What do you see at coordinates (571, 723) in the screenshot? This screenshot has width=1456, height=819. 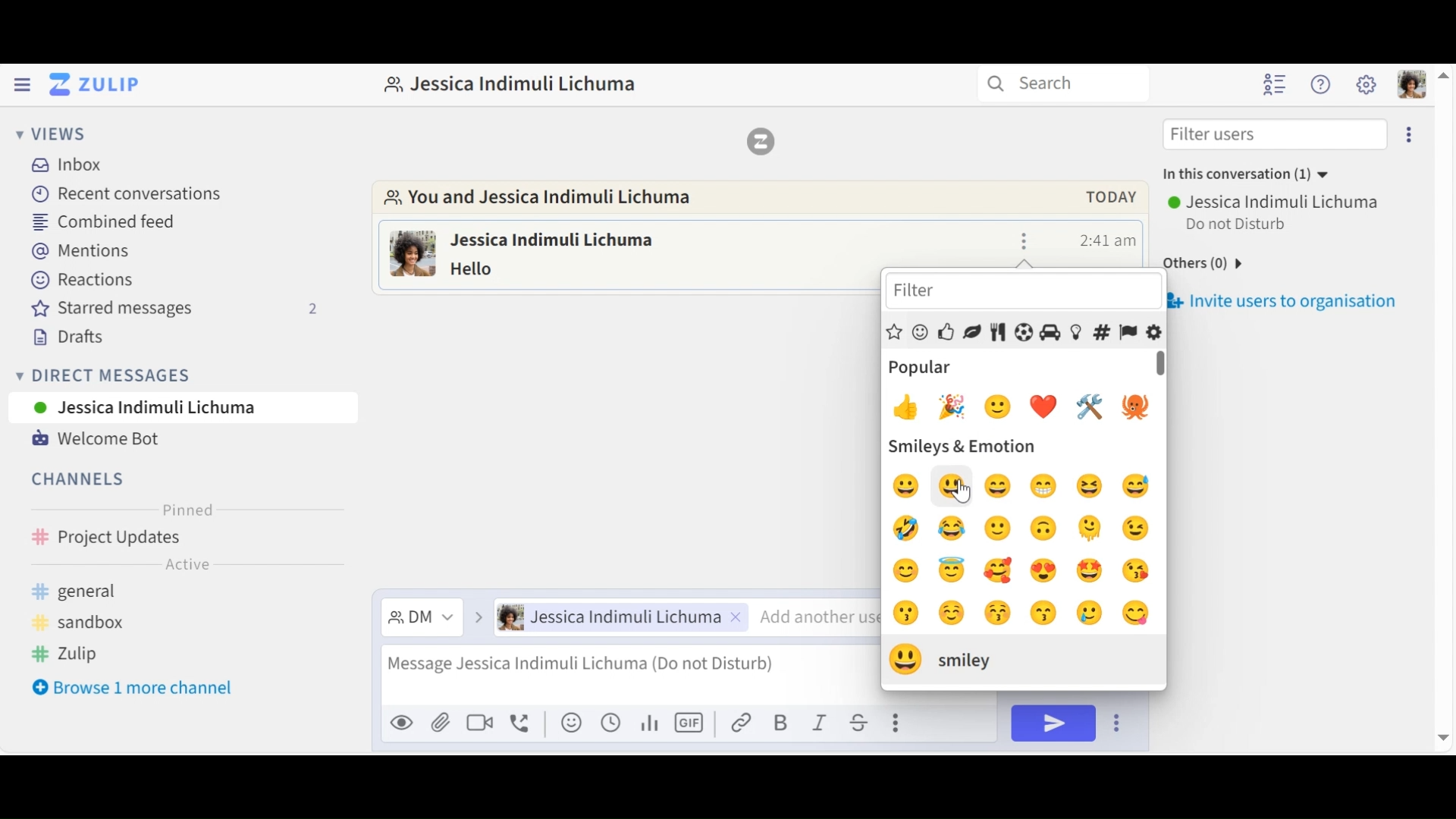 I see `Add an emoji` at bounding box center [571, 723].